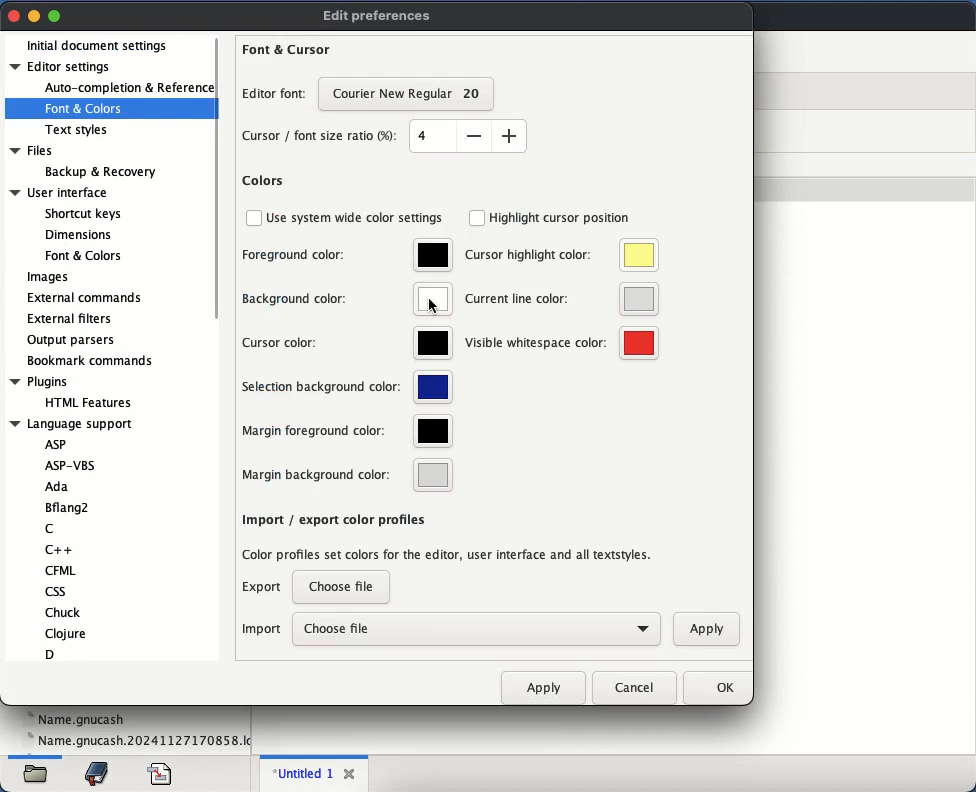 This screenshot has width=976, height=792. I want to click on selection background color, so click(349, 387).